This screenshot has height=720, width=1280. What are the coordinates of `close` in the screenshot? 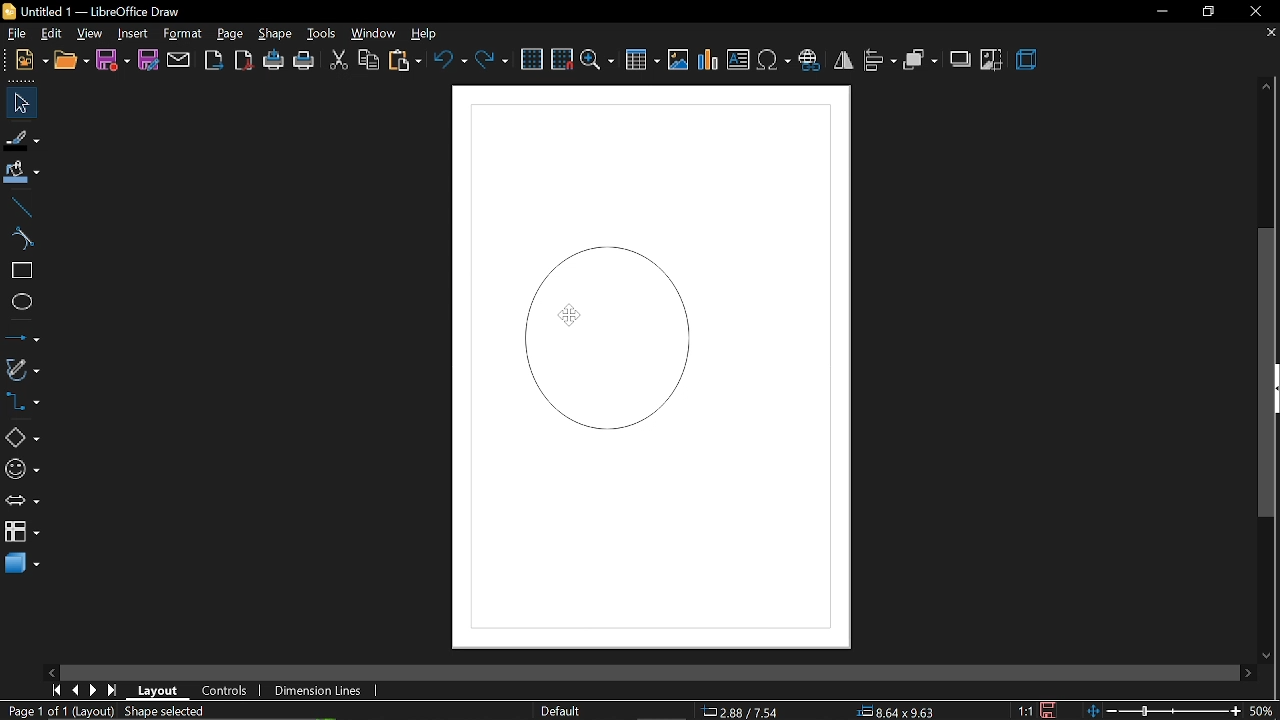 It's located at (1254, 11).